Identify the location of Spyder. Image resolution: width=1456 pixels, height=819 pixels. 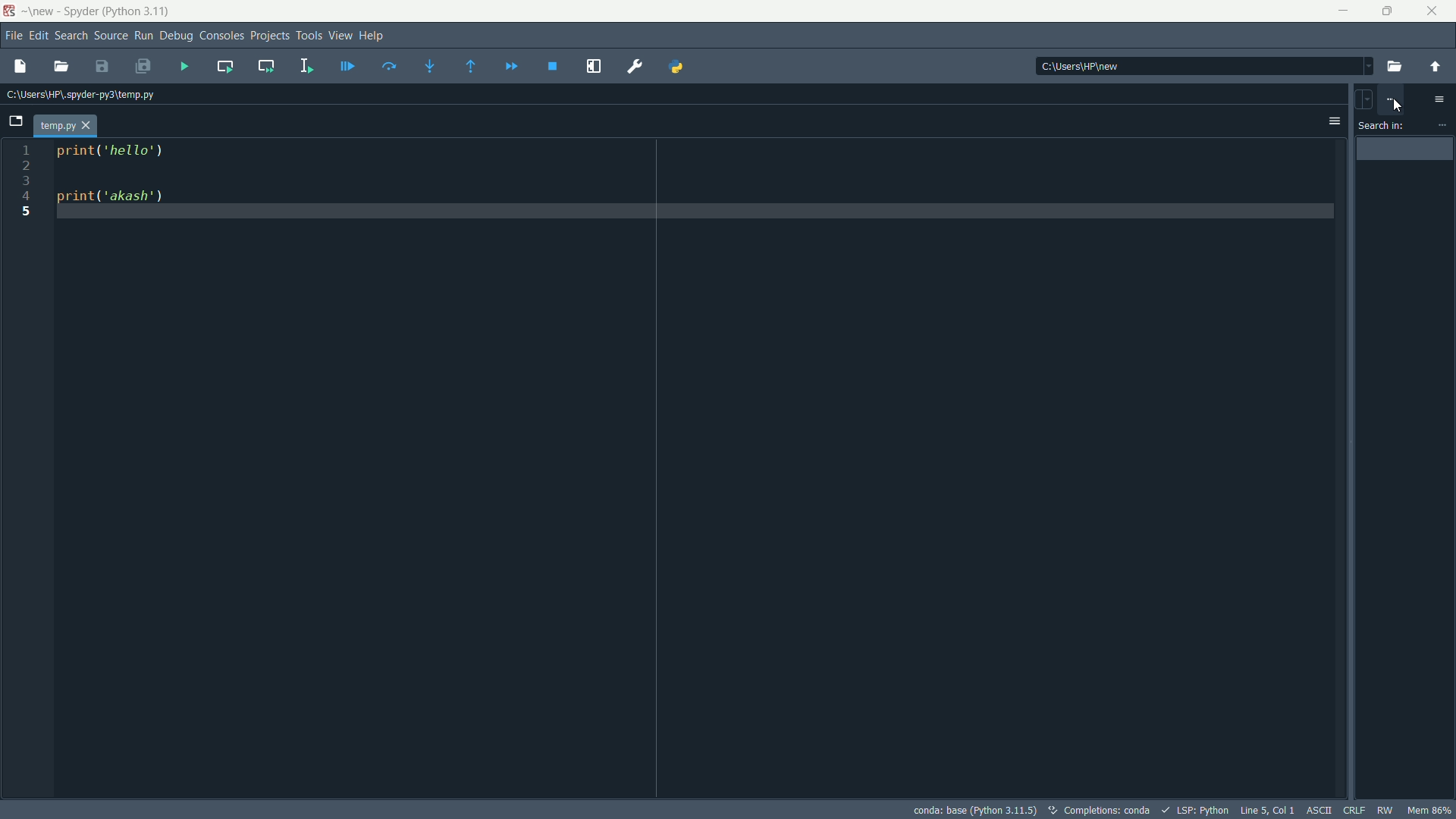
(80, 11).